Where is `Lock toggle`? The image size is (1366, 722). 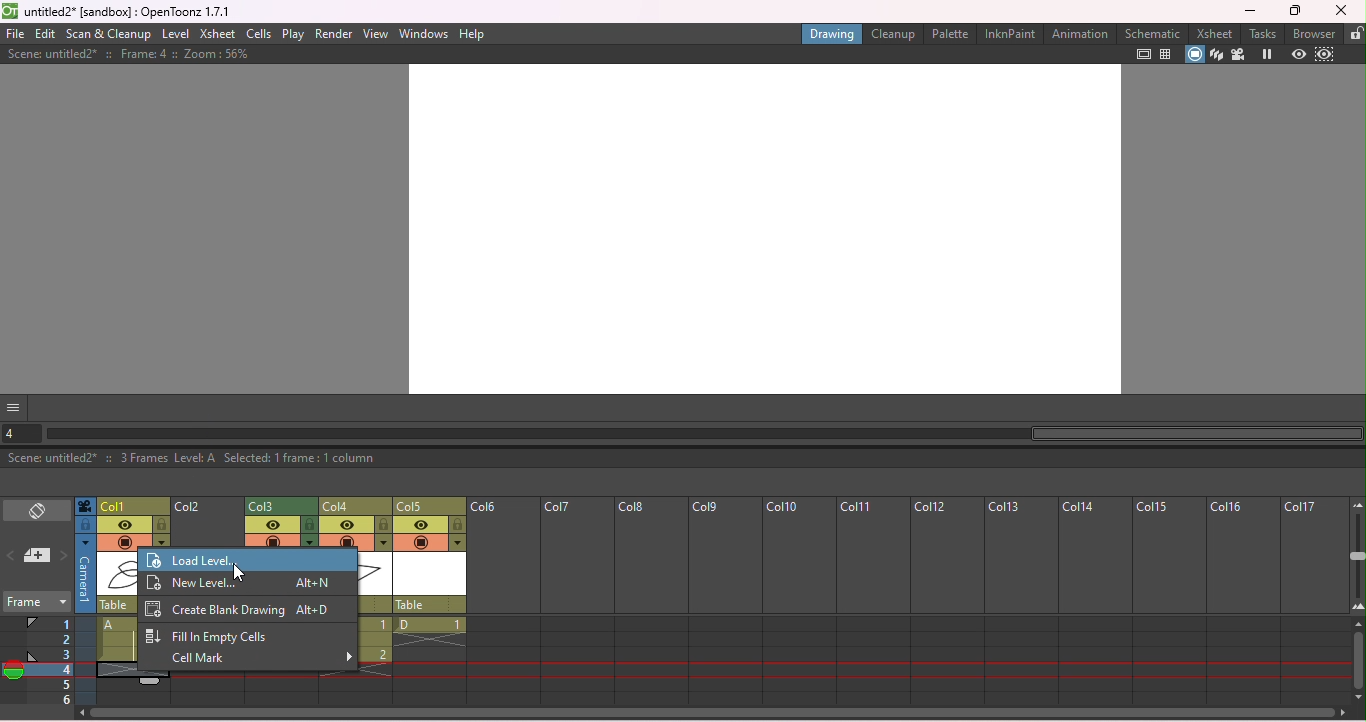
Lock toggle is located at coordinates (310, 524).